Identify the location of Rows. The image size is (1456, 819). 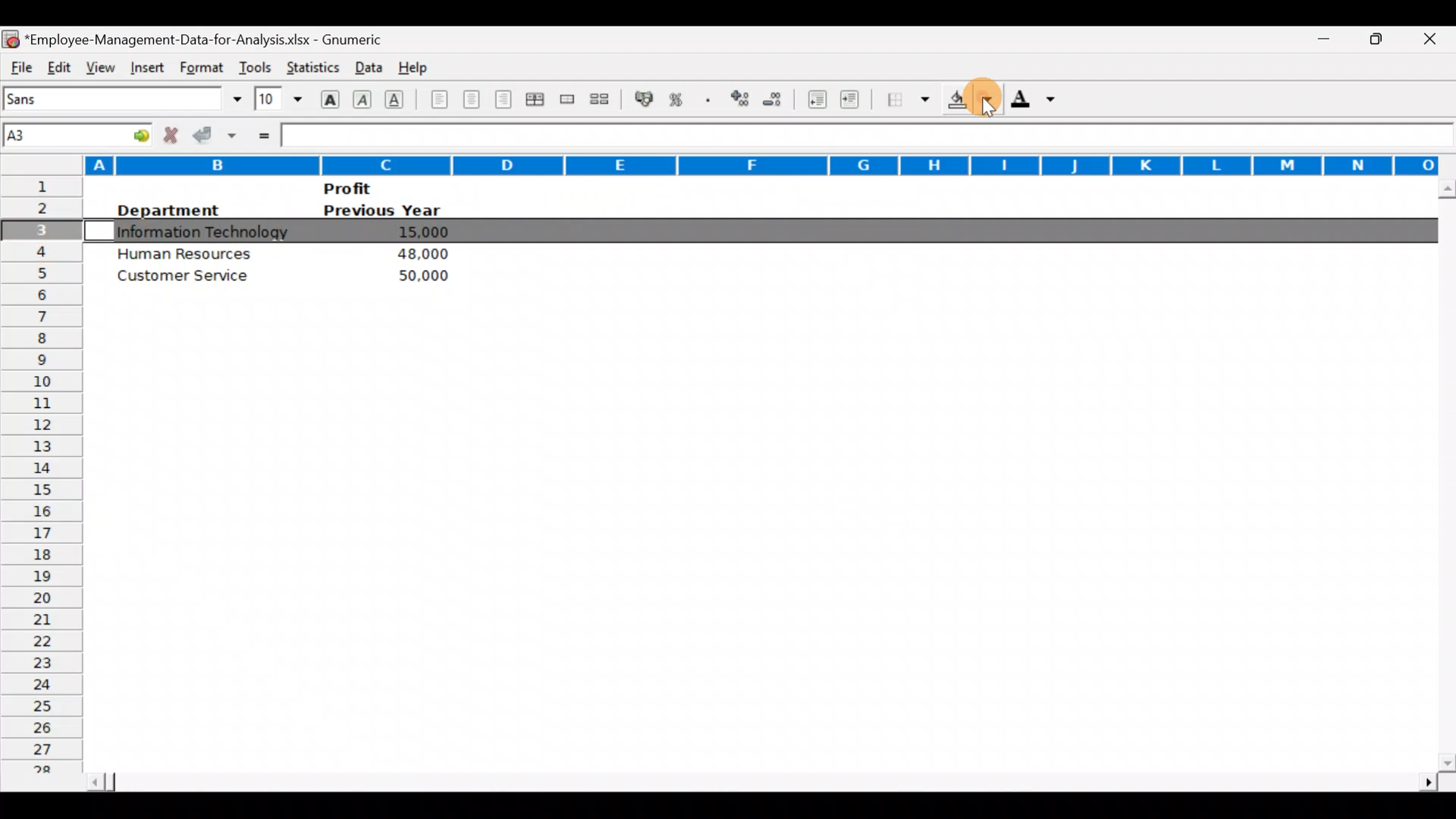
(41, 479).